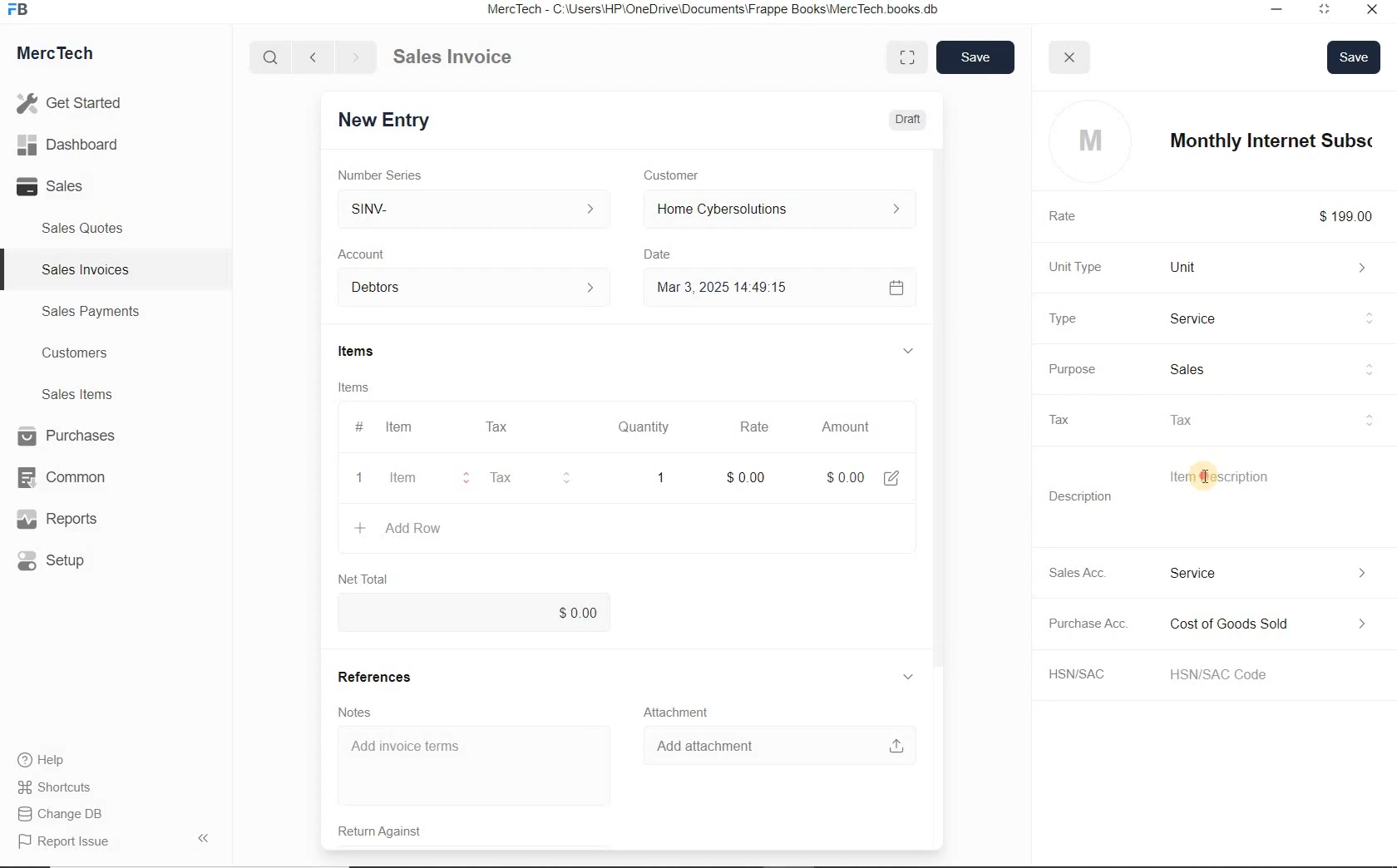 The width and height of the screenshot is (1397, 868). What do you see at coordinates (315, 57) in the screenshot?
I see `Go back` at bounding box center [315, 57].